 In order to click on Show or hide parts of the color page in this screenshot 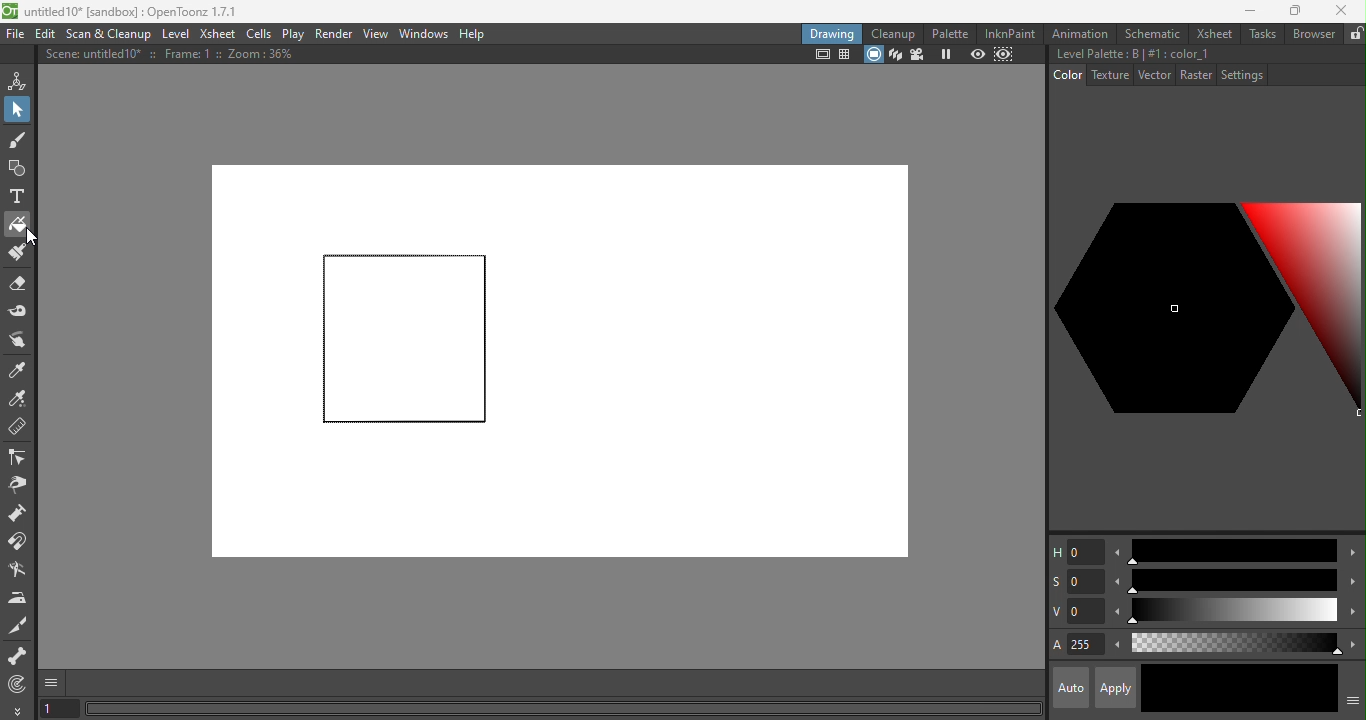, I will do `click(1353, 698)`.